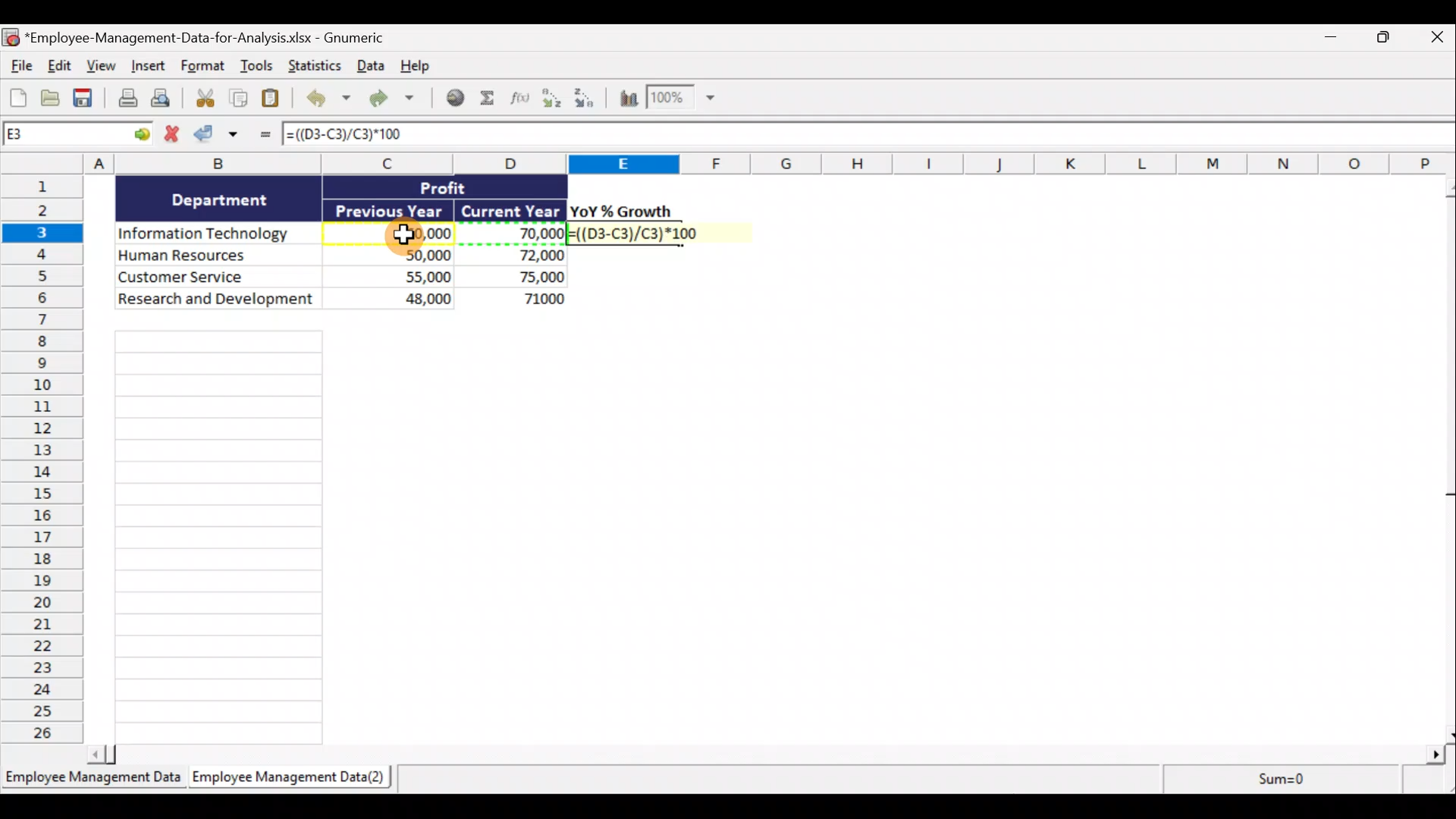 This screenshot has width=1456, height=819. I want to click on Columns, so click(728, 163).